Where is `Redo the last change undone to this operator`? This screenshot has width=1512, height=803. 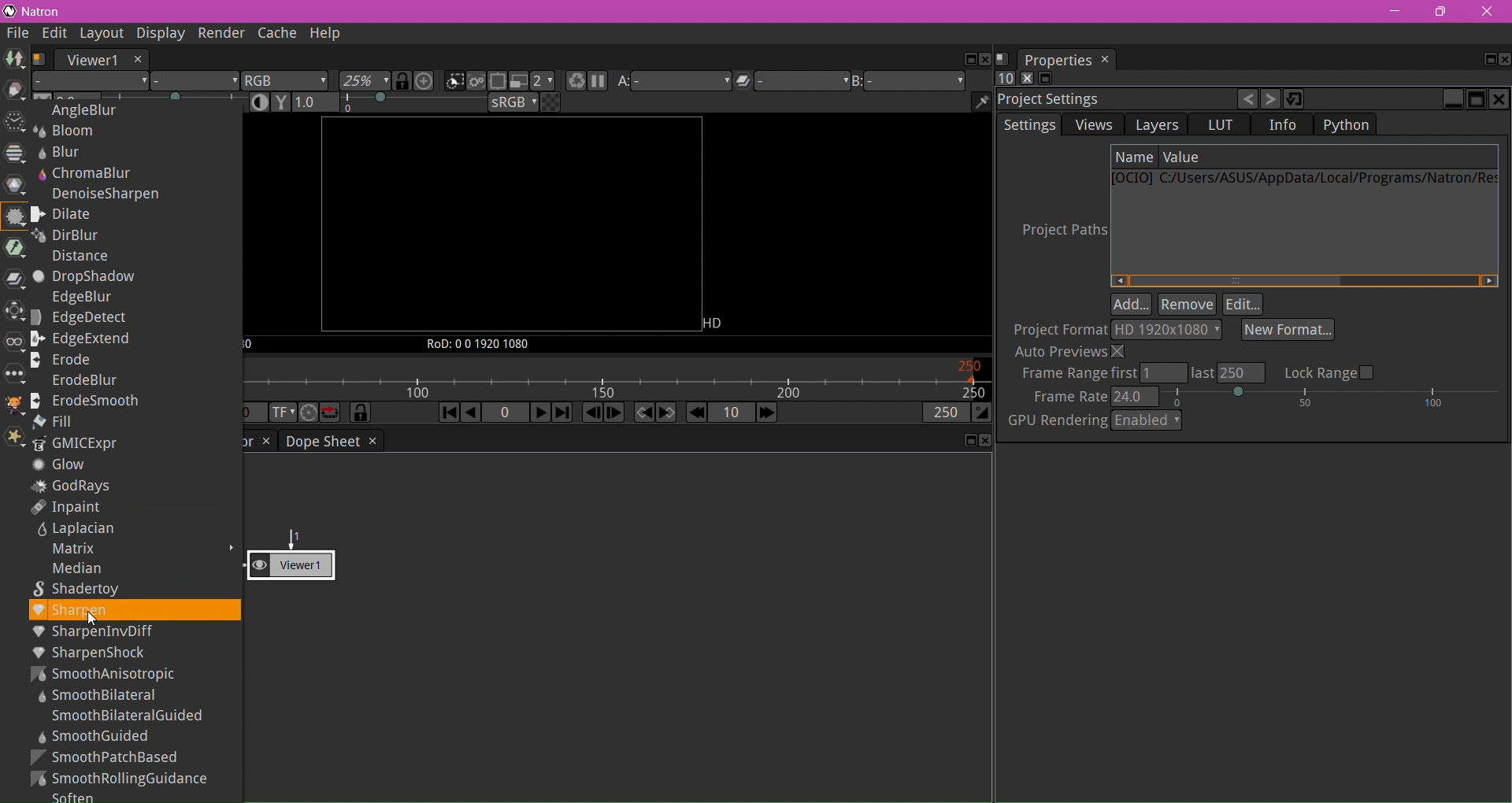
Redo the last change undone to this operator is located at coordinates (1272, 100).